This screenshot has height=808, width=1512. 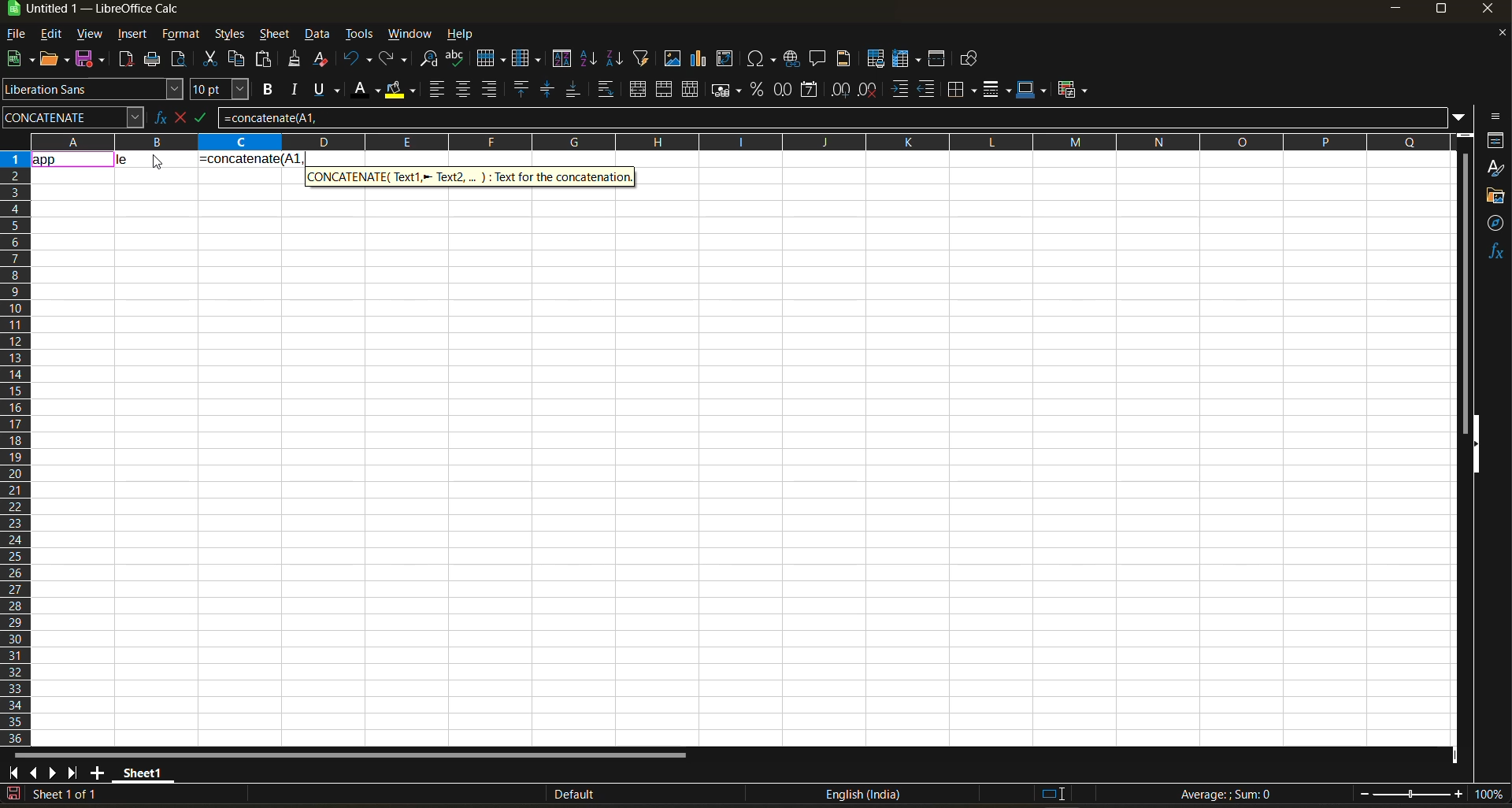 What do you see at coordinates (605, 91) in the screenshot?
I see `wrap text` at bounding box center [605, 91].